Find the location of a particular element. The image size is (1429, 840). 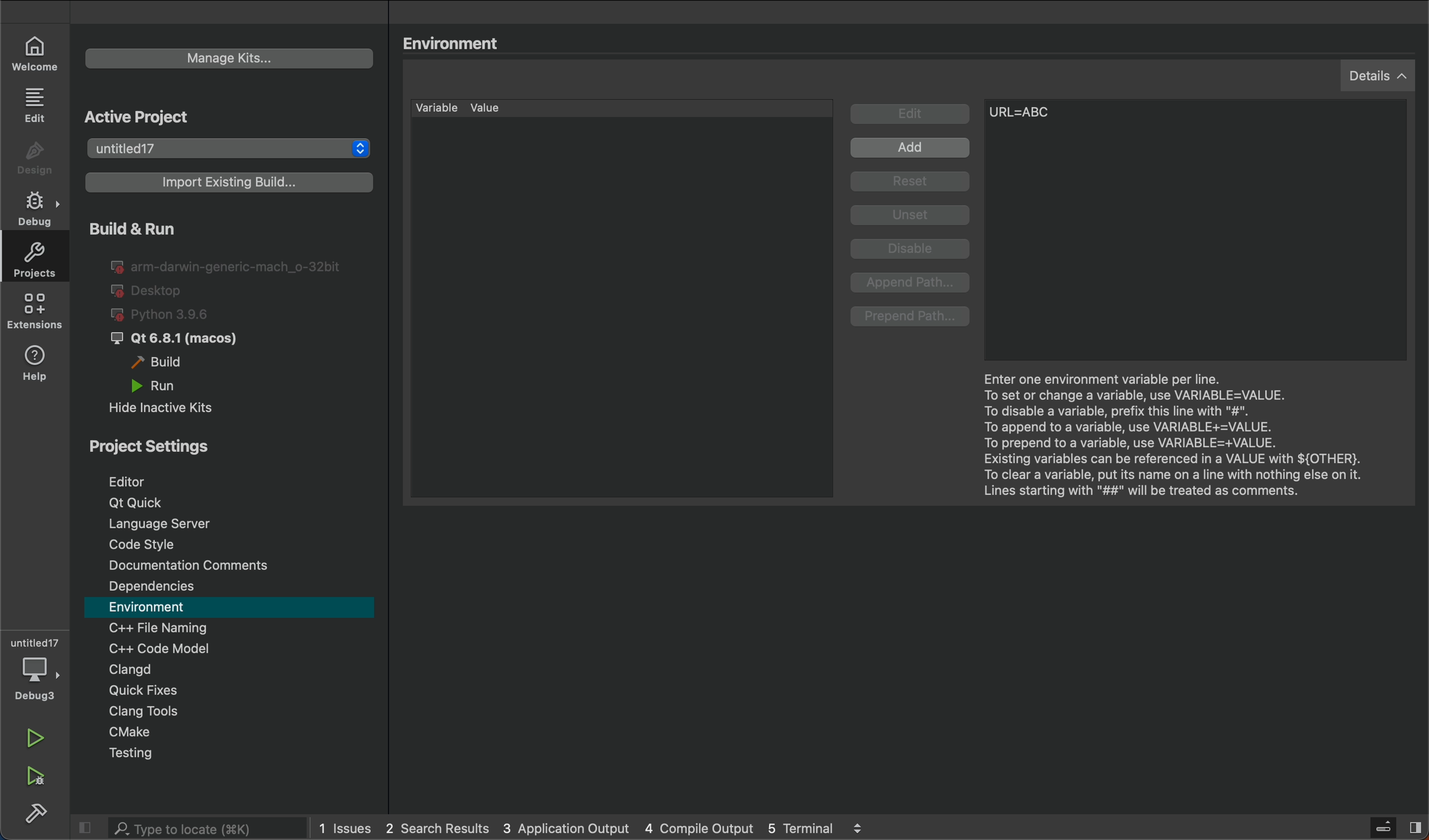

details is located at coordinates (1382, 75).